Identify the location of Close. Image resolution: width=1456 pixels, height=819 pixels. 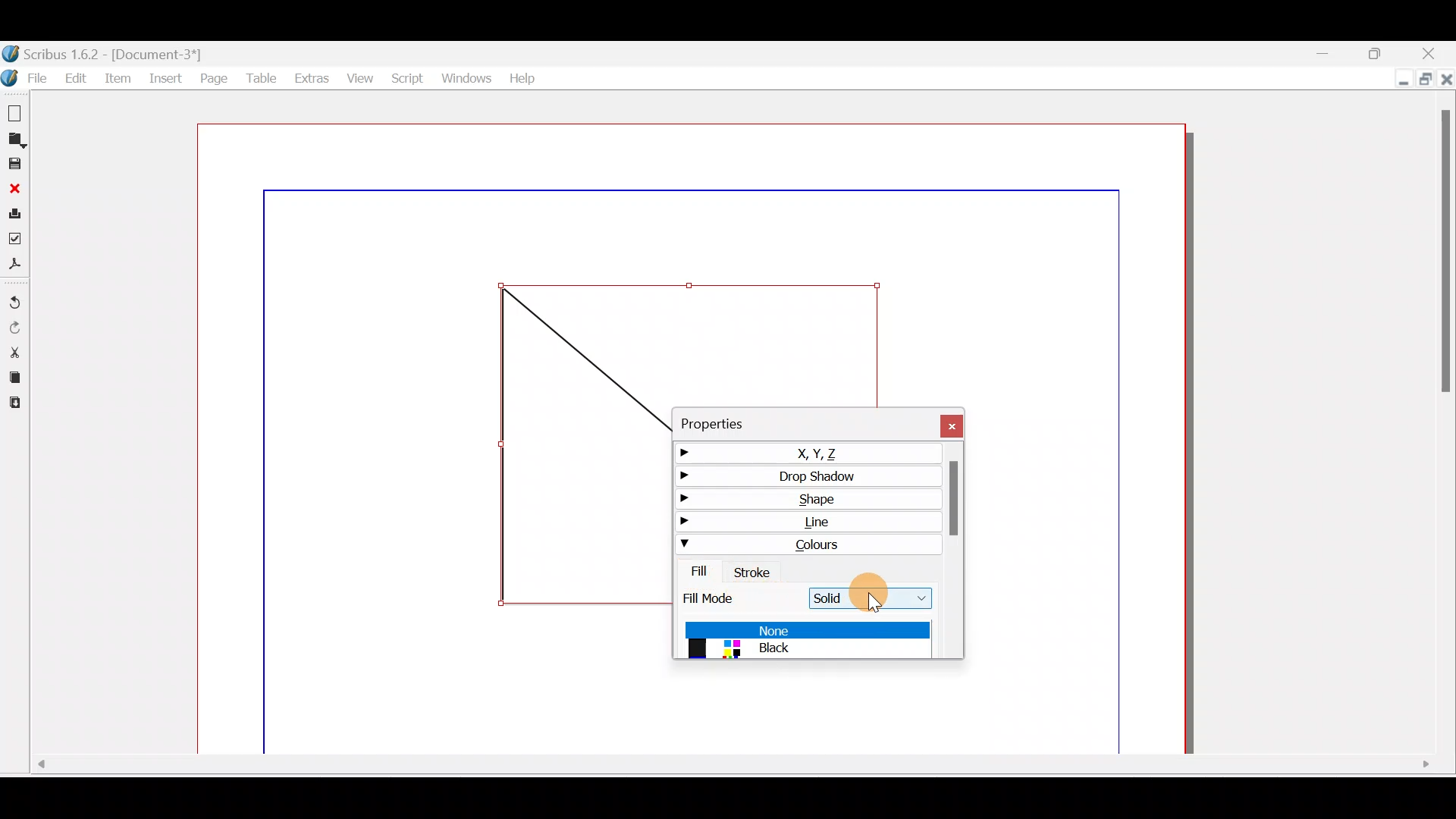
(1436, 55).